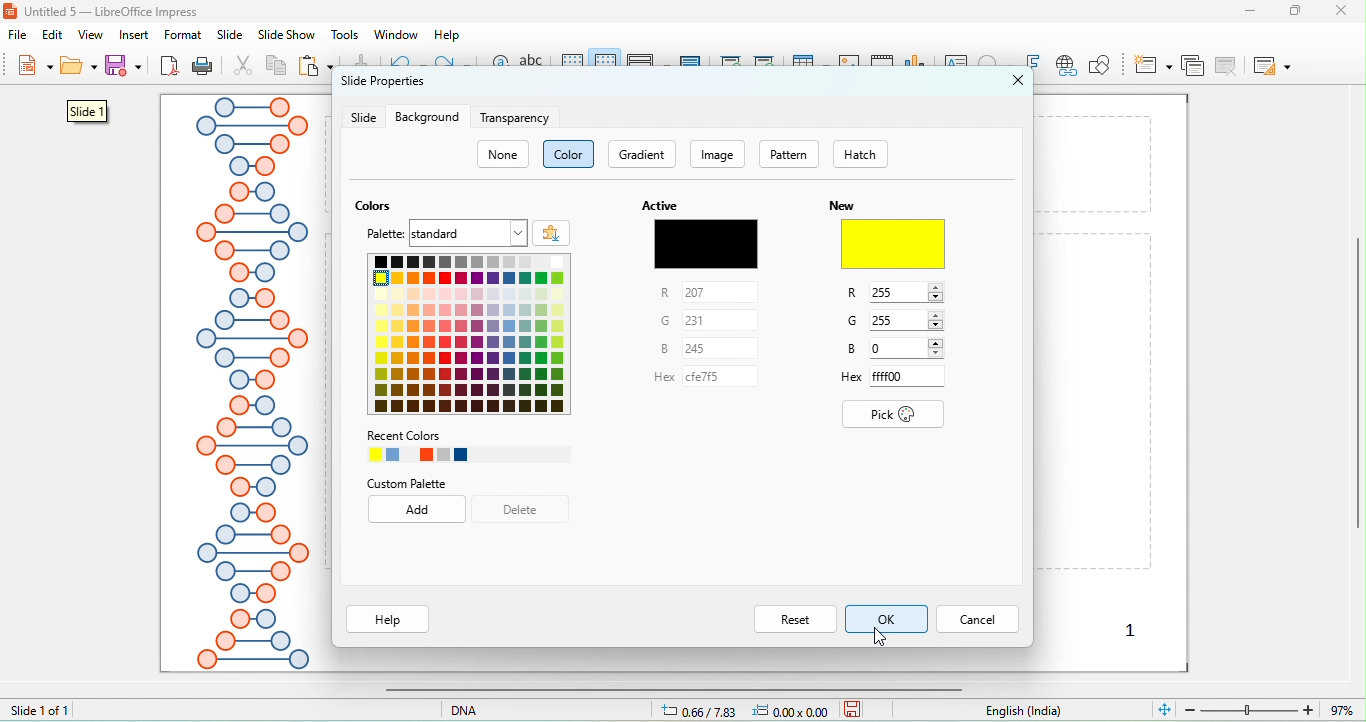  I want to click on export pdf, so click(170, 67).